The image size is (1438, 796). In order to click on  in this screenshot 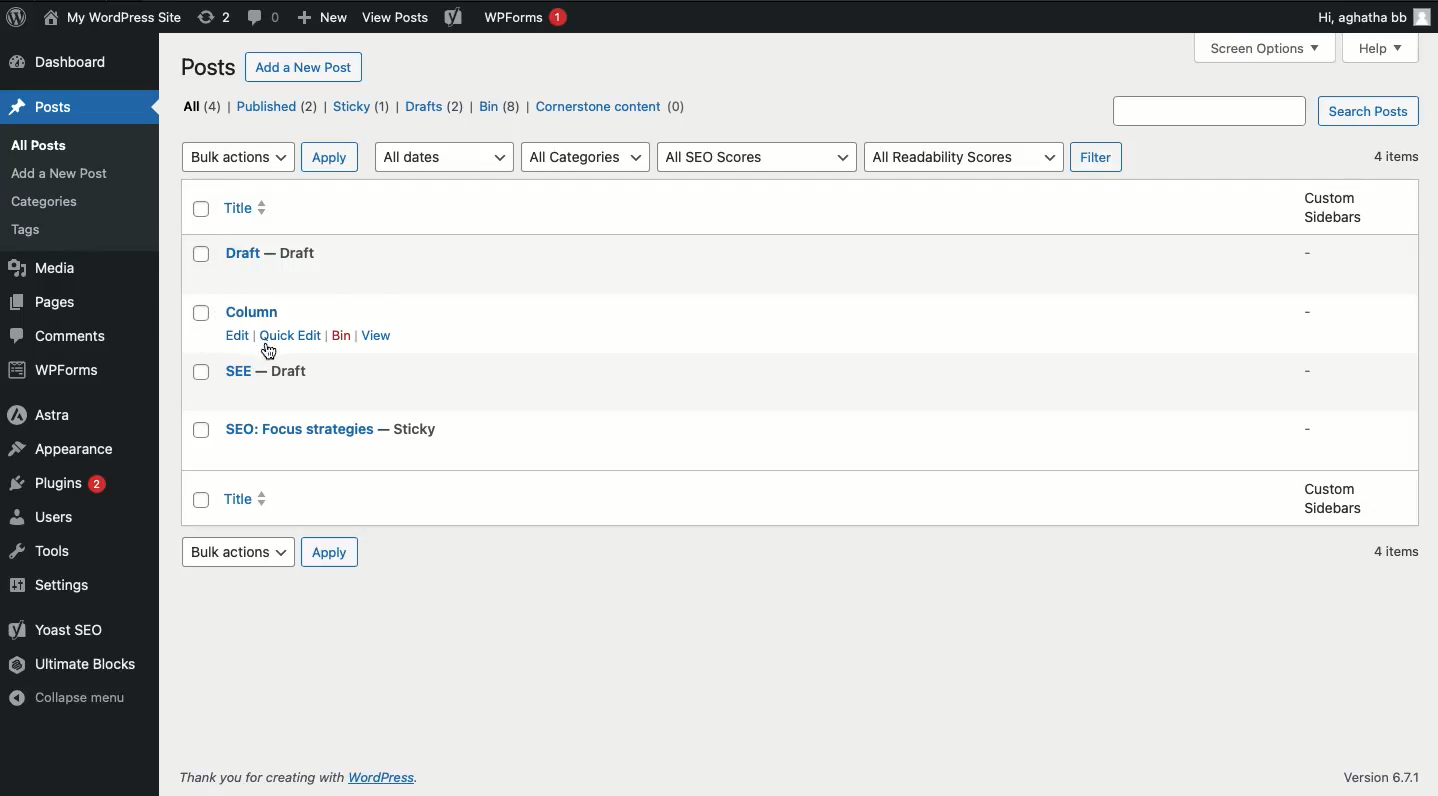, I will do `click(44, 204)`.